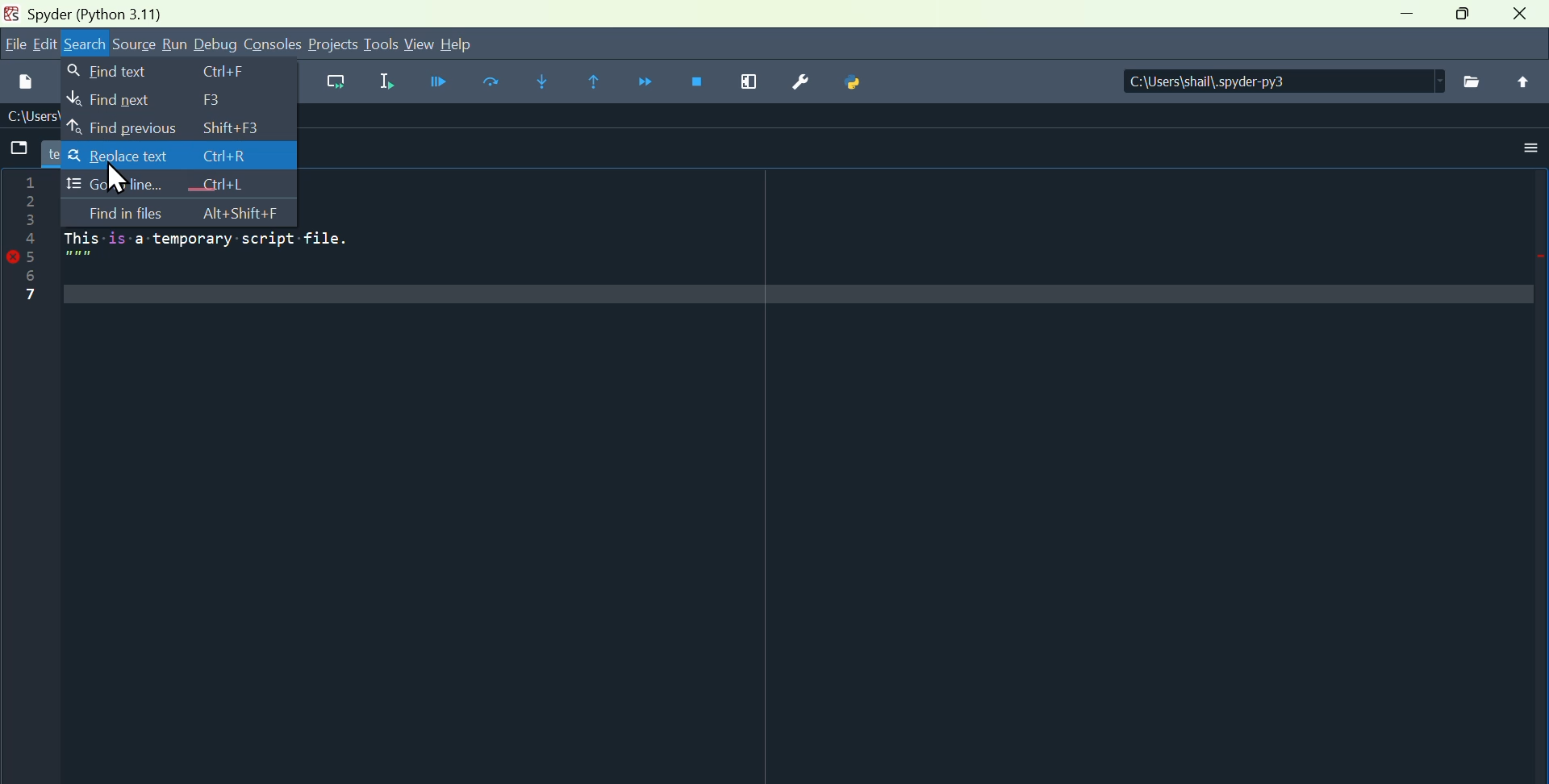 Image resolution: width=1549 pixels, height=784 pixels. I want to click on close, so click(1524, 16).